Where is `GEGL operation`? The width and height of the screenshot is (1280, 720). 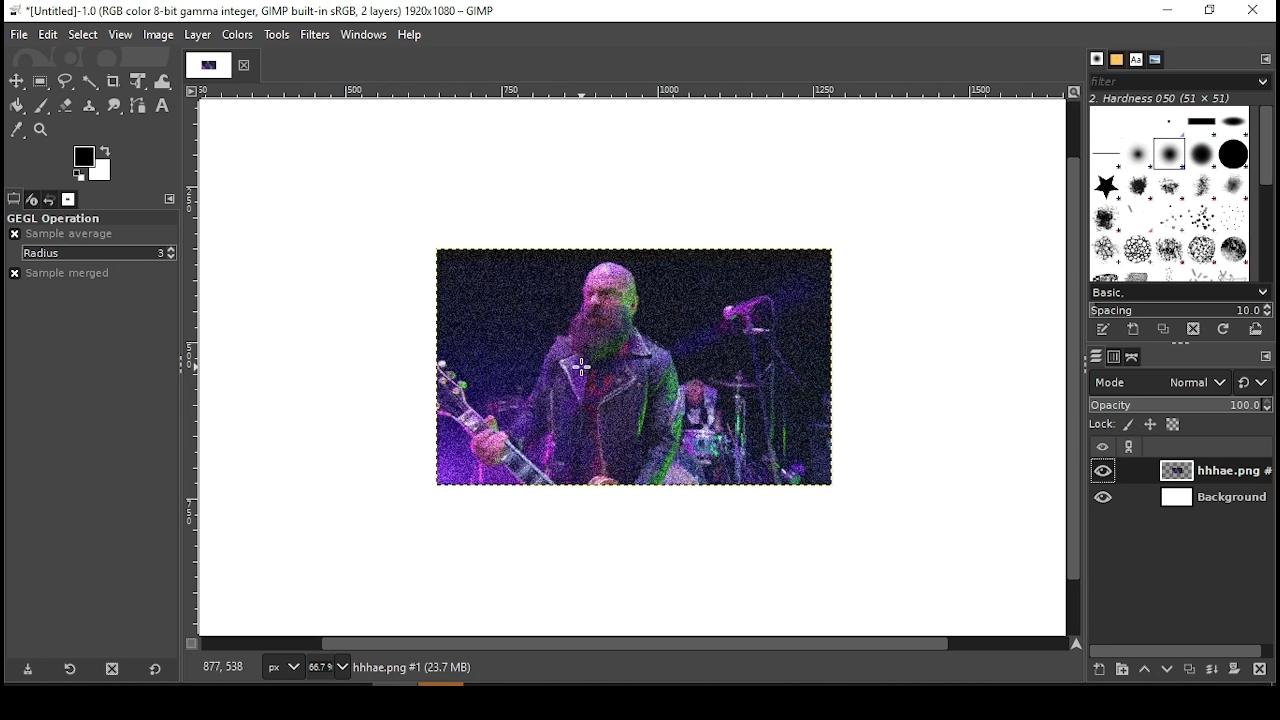
GEGL operation is located at coordinates (89, 219).